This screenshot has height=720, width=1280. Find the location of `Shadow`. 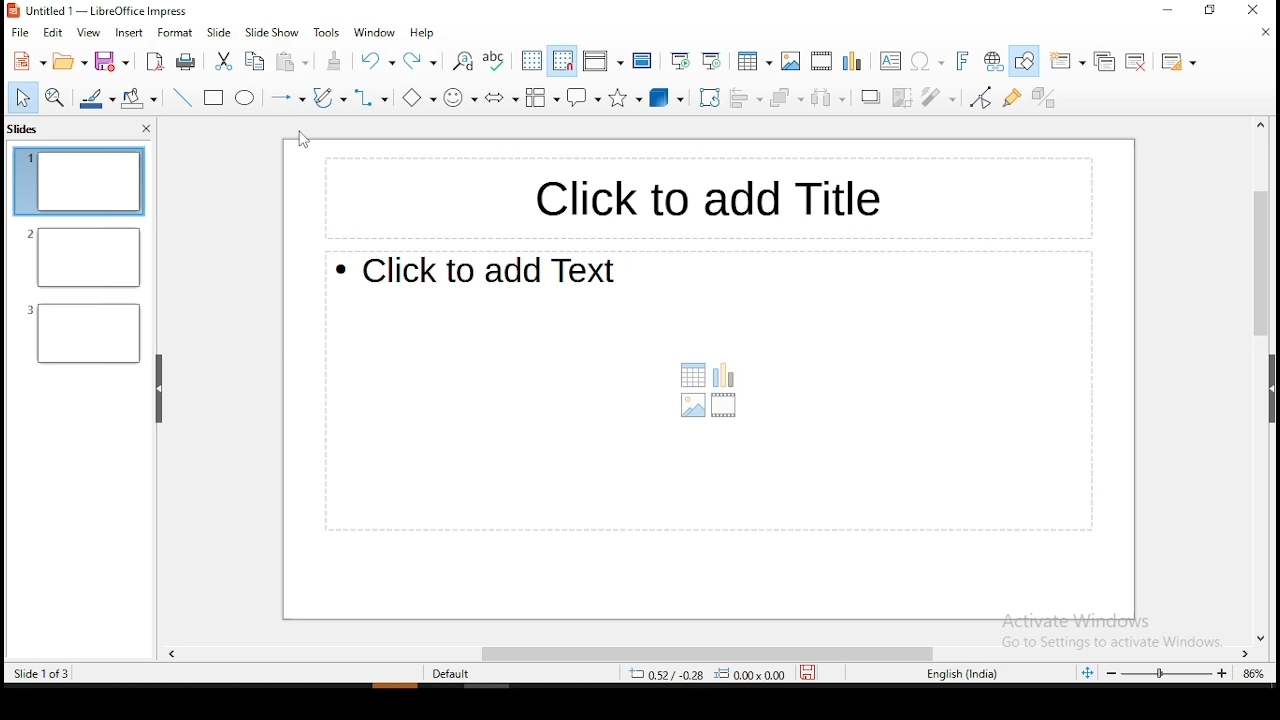

Shadow is located at coordinates (868, 98).